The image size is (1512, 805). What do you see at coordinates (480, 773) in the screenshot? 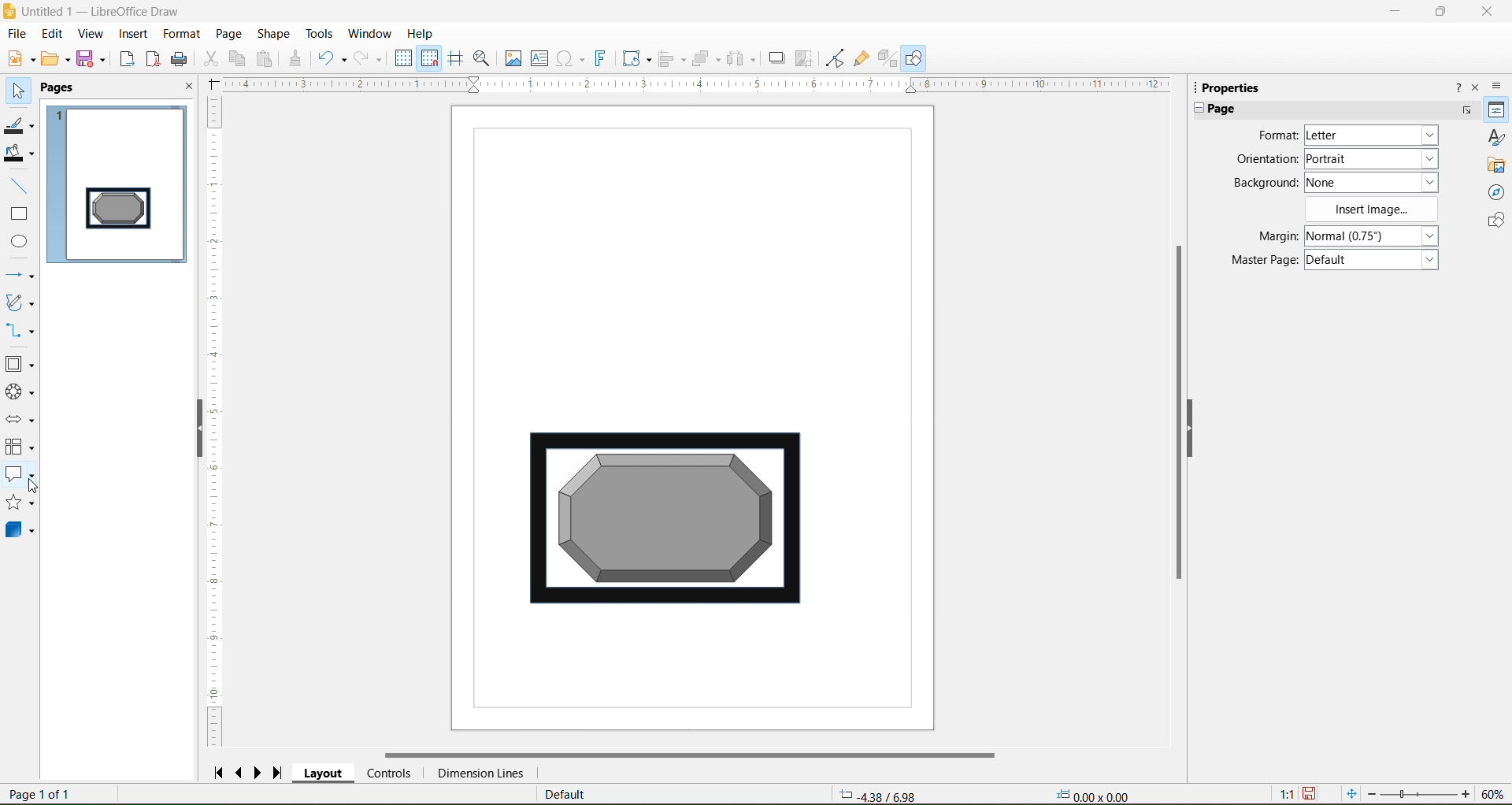
I see `Dimension Lines` at bounding box center [480, 773].